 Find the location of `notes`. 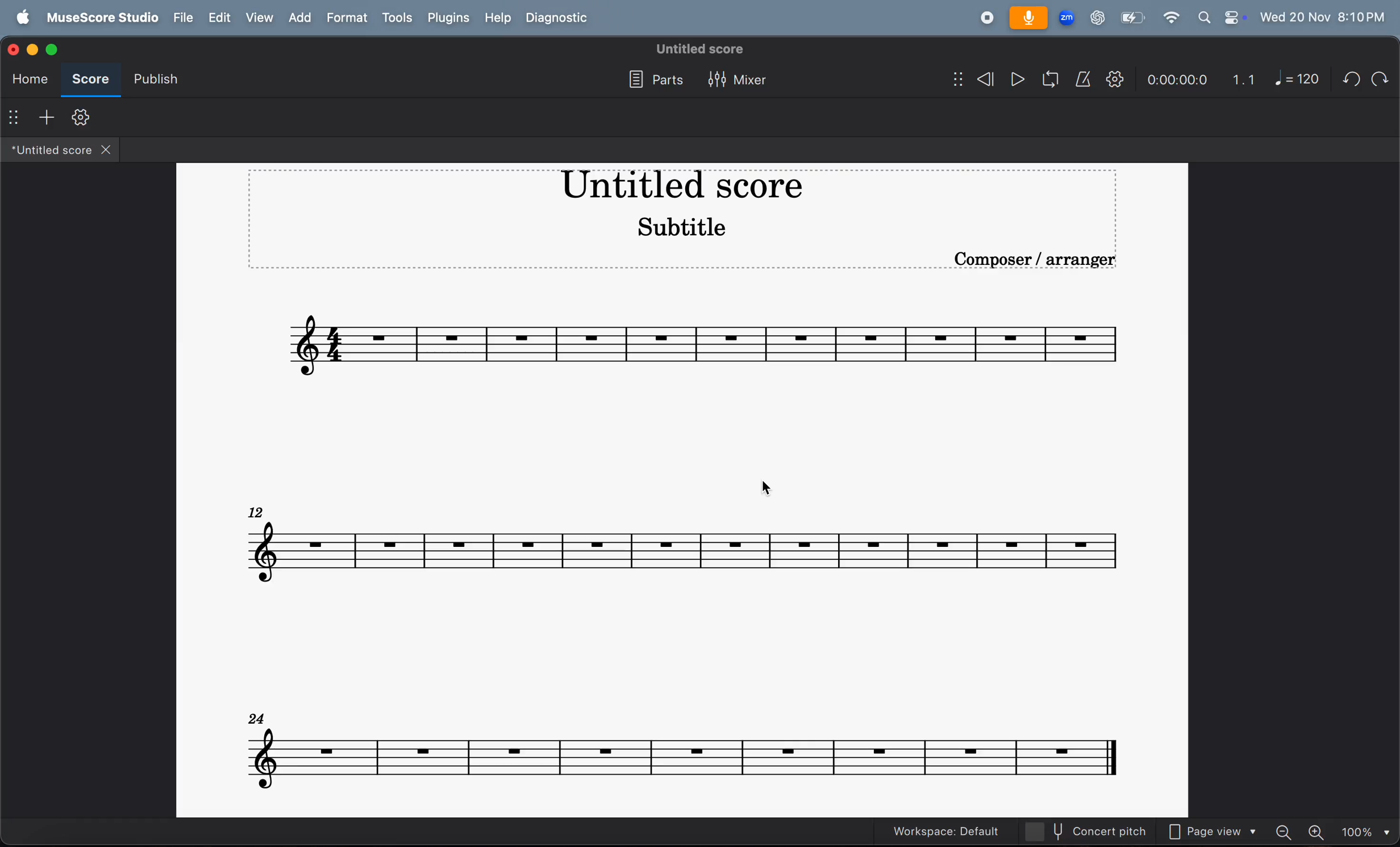

notes is located at coordinates (706, 346).